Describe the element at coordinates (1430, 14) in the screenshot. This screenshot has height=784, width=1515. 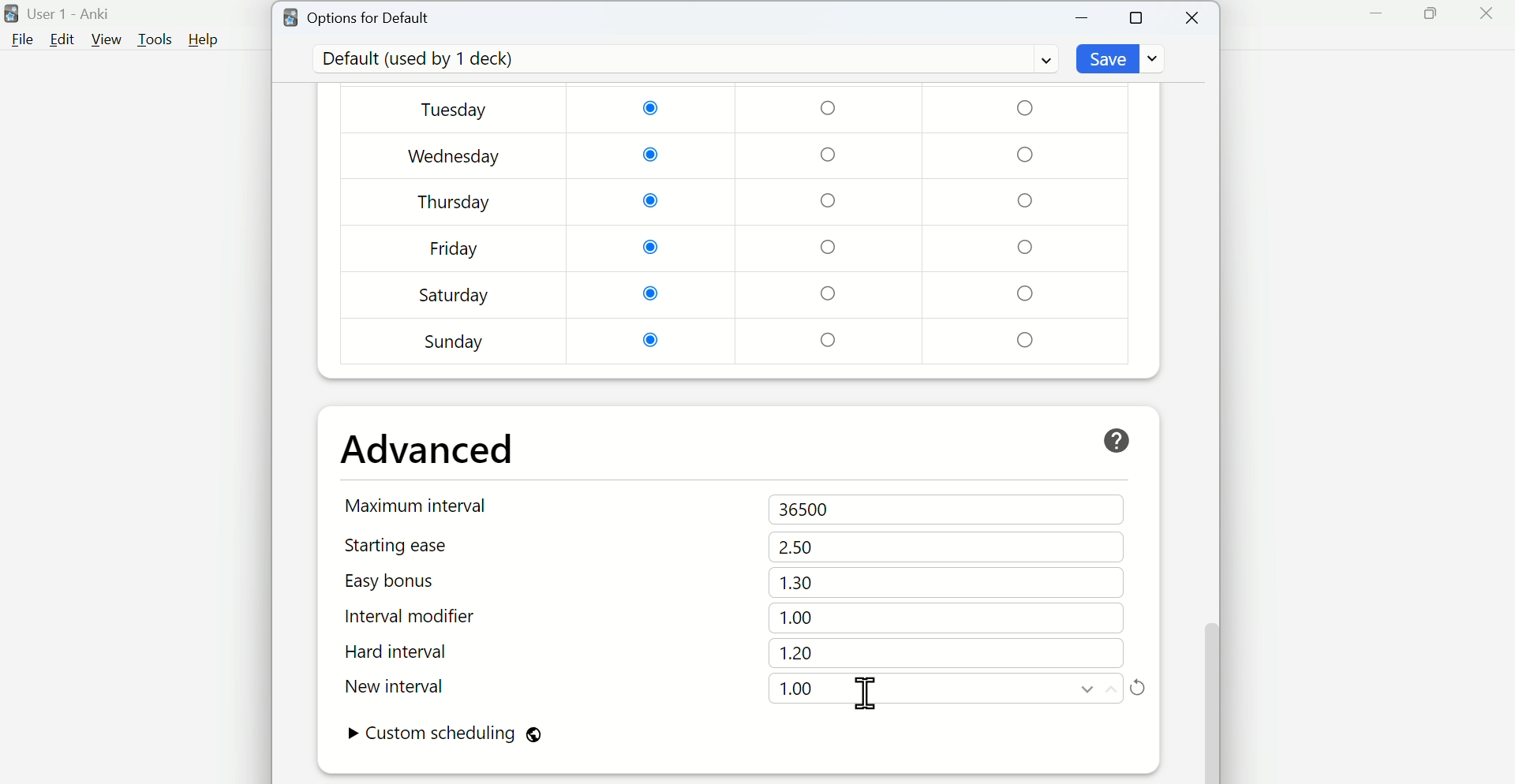
I see `Maximize` at that location.